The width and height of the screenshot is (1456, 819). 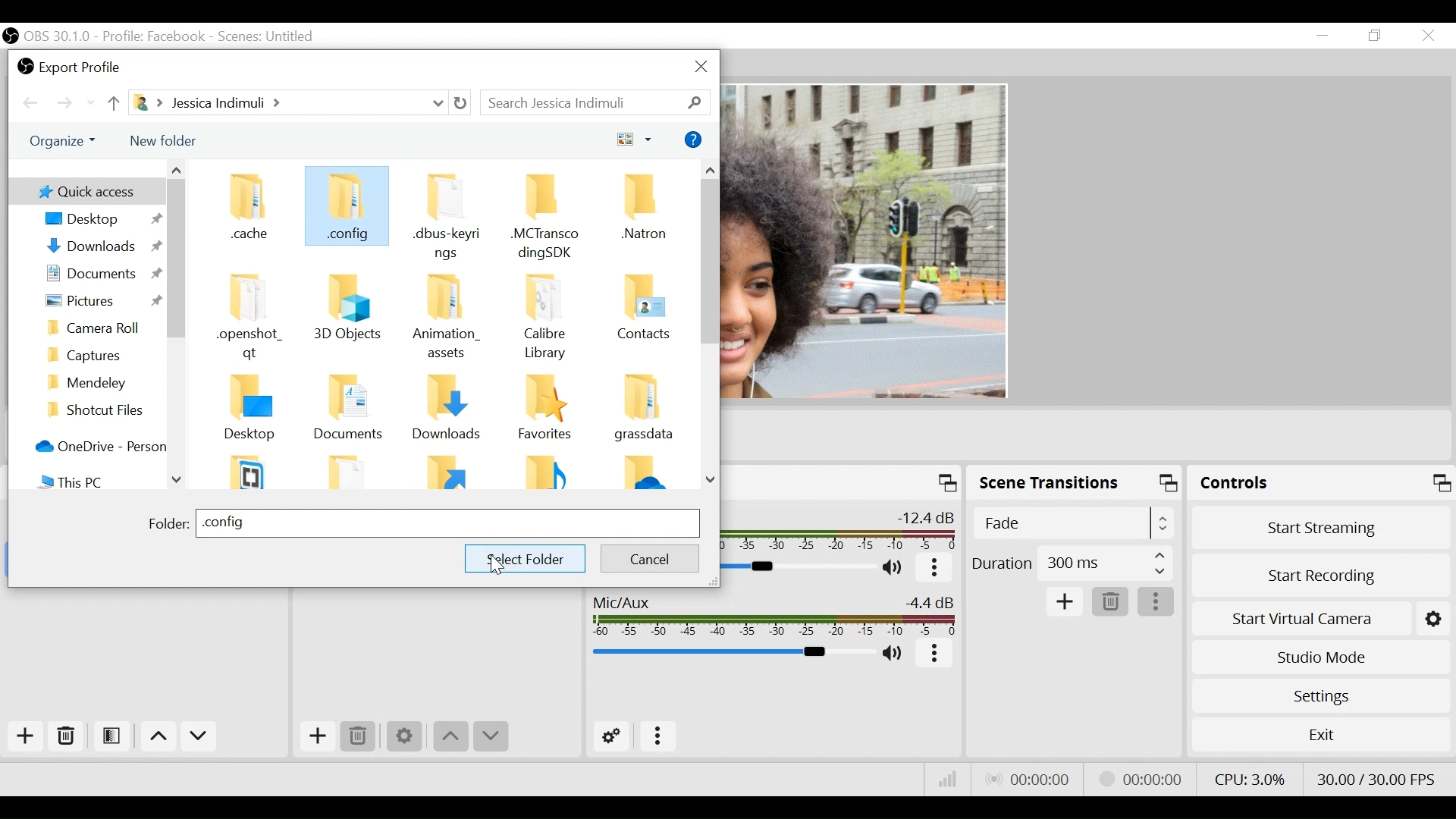 I want to click on Remove, so click(x=67, y=735).